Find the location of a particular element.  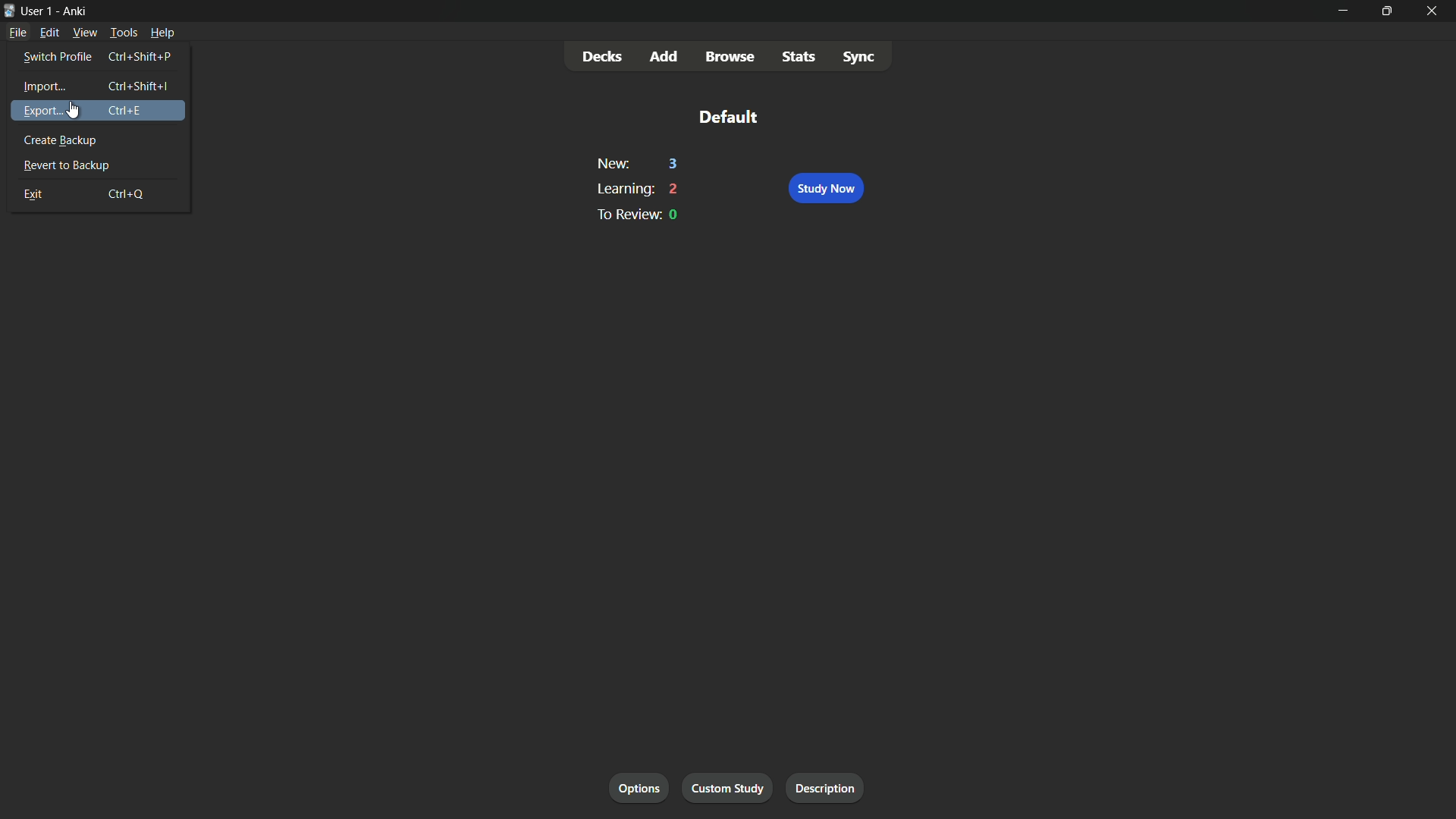

maximize is located at coordinates (1386, 10).